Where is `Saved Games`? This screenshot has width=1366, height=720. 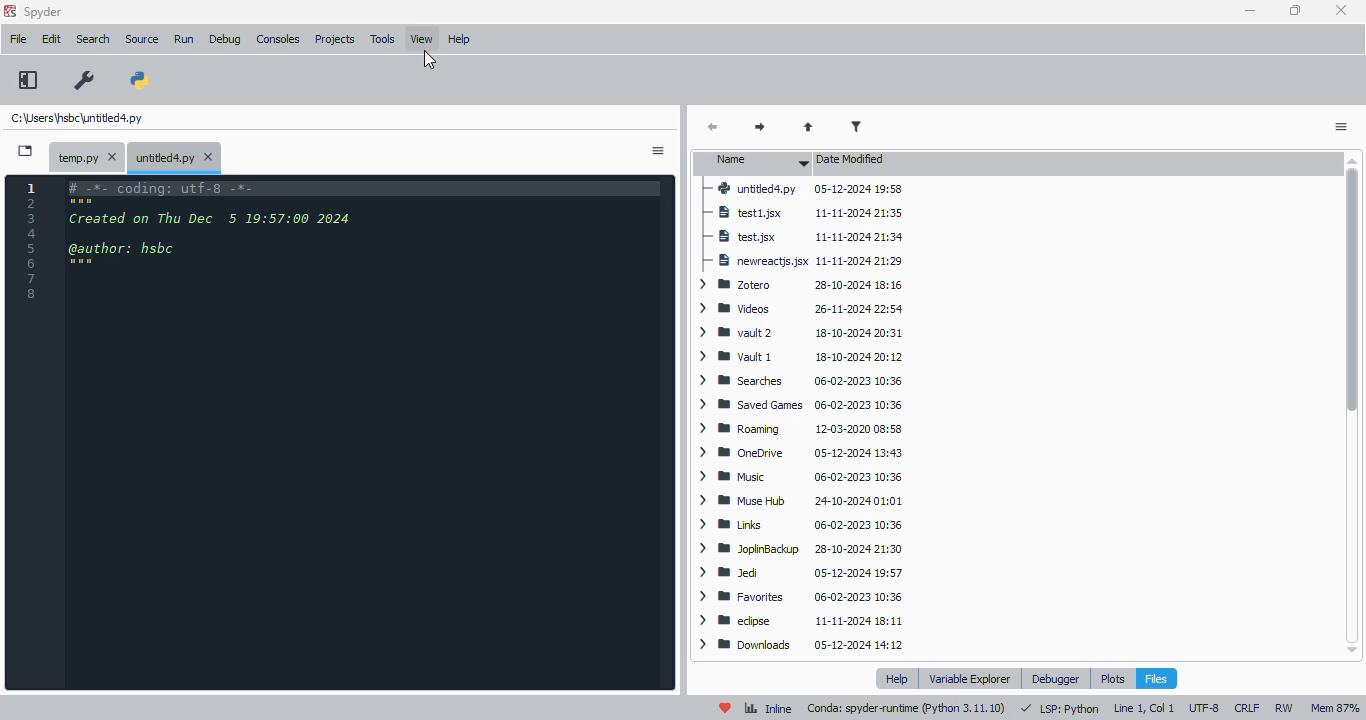 Saved Games is located at coordinates (802, 405).